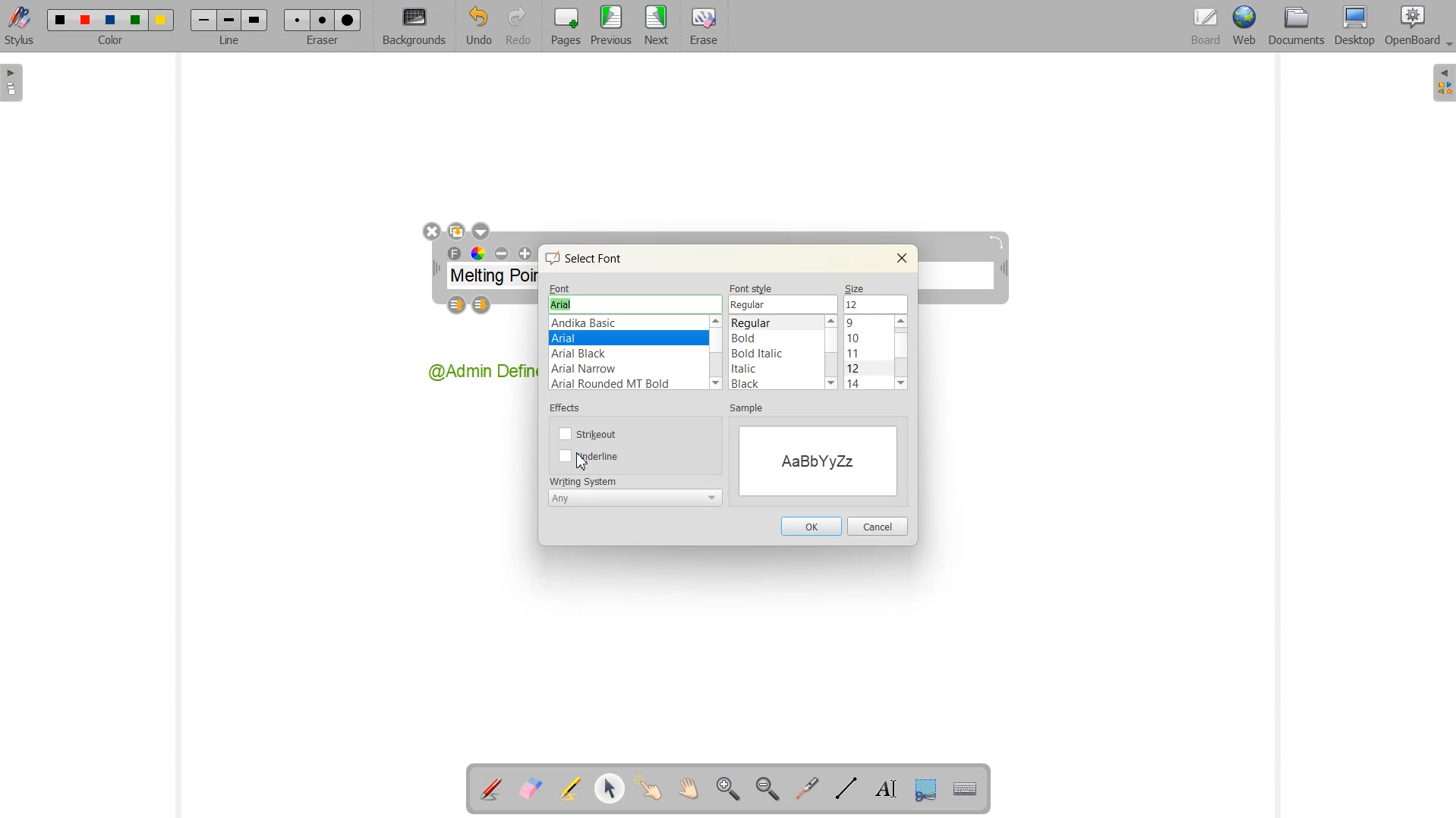 This screenshot has height=818, width=1456. I want to click on Pages, so click(563, 27).